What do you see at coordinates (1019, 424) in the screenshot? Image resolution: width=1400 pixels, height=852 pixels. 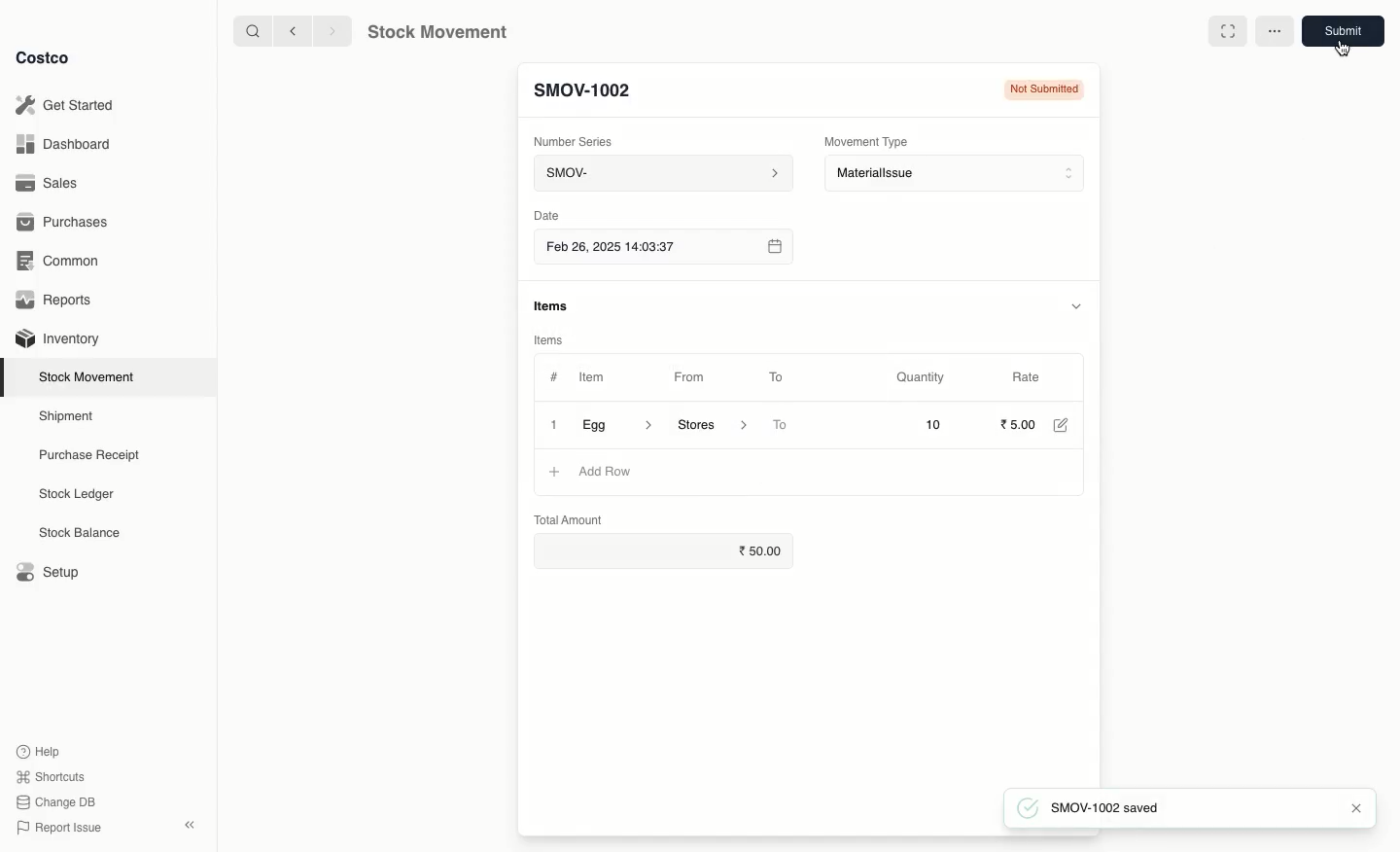 I see `5.00` at bounding box center [1019, 424].